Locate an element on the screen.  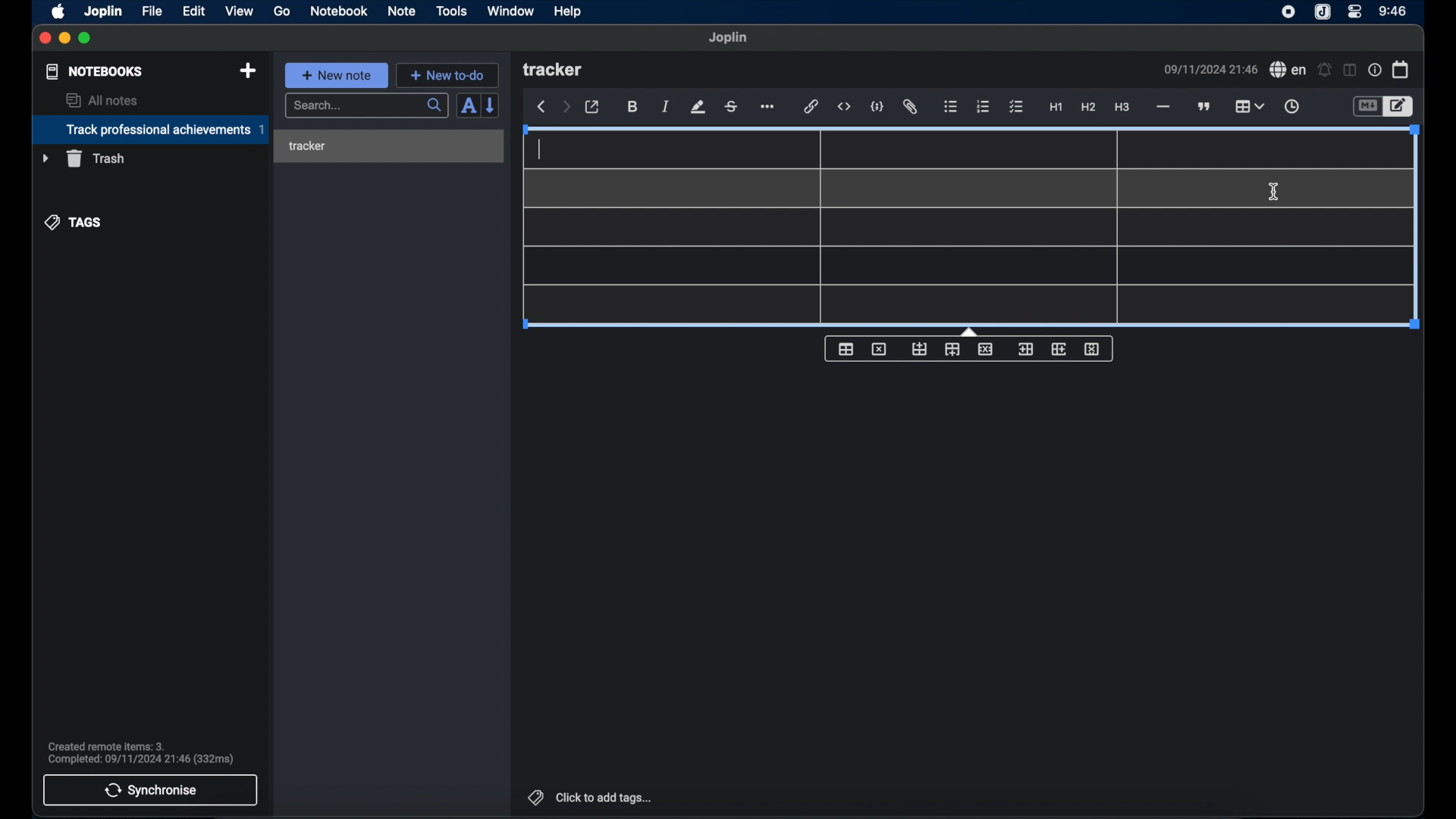
apple icon is located at coordinates (59, 11).